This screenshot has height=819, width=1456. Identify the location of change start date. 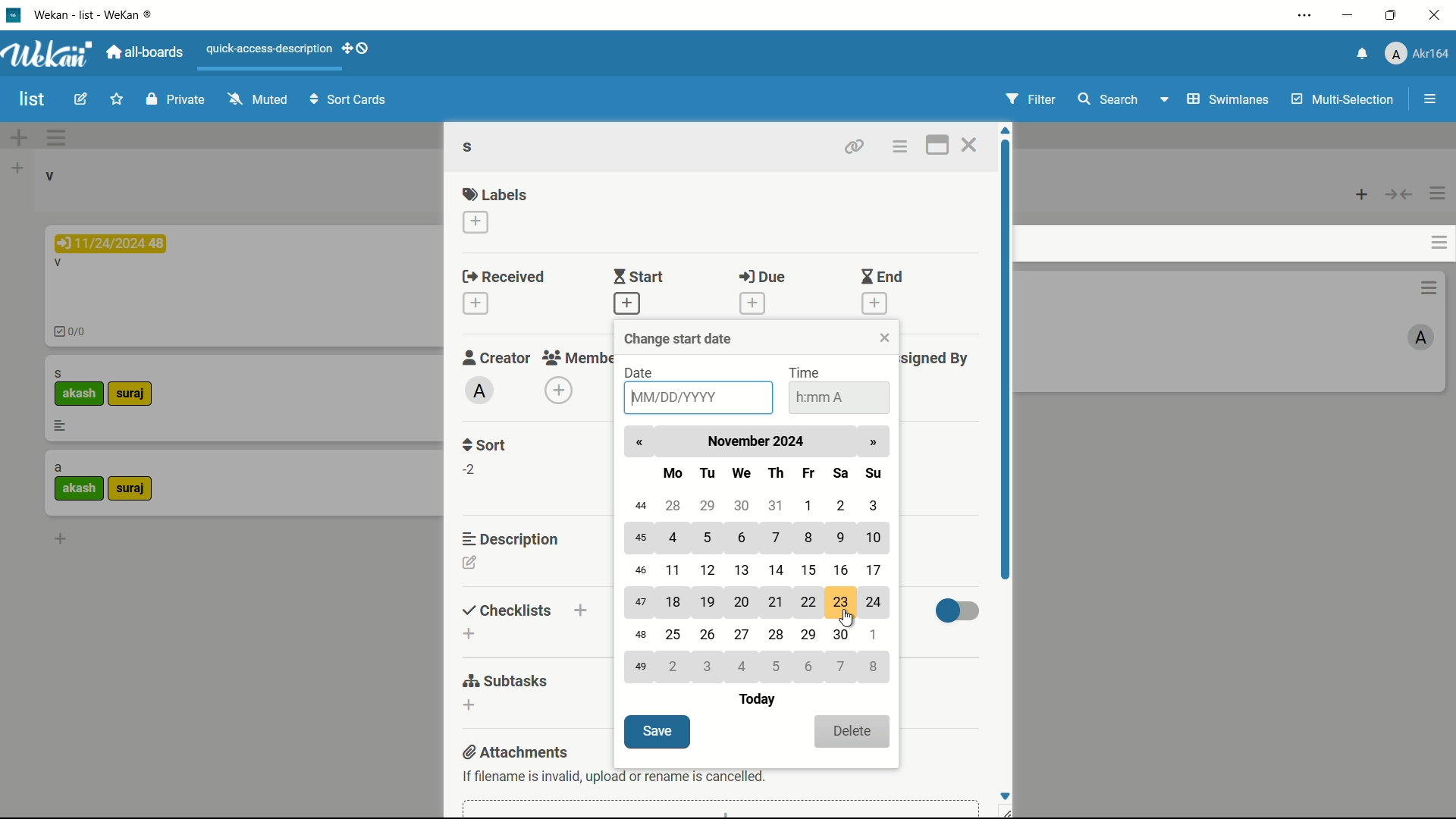
(681, 338).